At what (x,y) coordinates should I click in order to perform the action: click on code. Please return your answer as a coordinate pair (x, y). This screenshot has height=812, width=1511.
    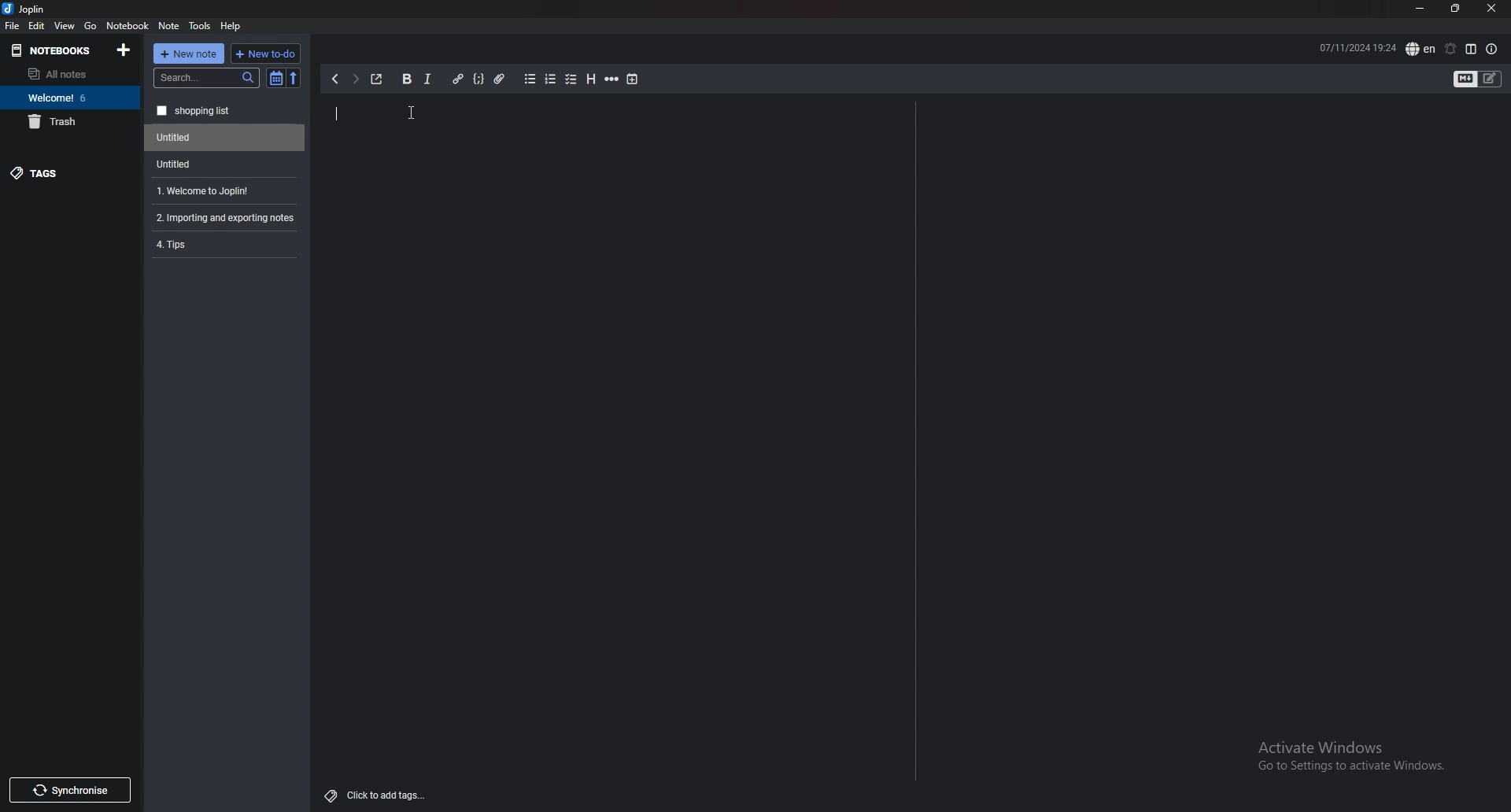
    Looking at the image, I should click on (478, 79).